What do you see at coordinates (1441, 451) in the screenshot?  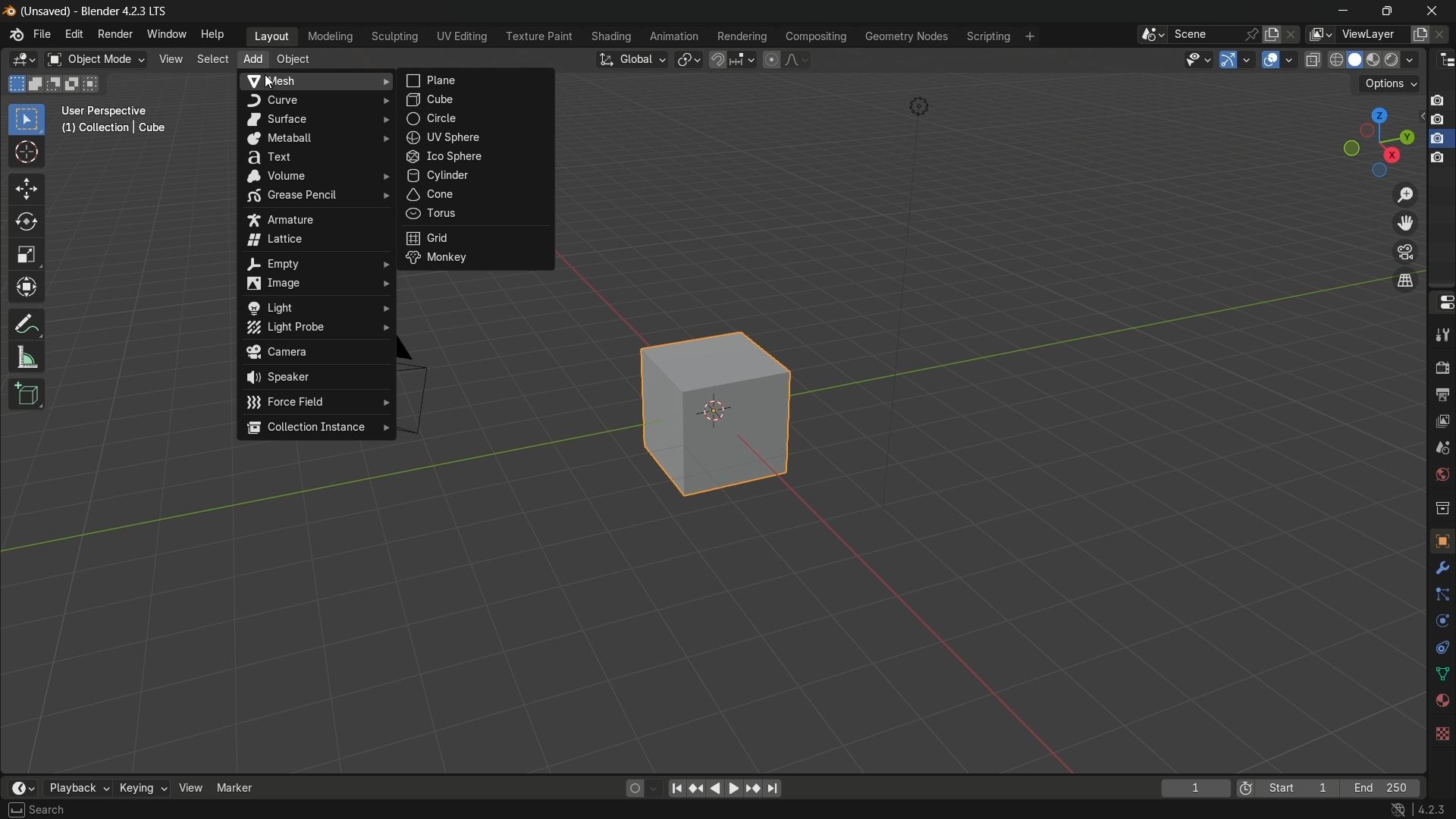 I see `scene` at bounding box center [1441, 451].